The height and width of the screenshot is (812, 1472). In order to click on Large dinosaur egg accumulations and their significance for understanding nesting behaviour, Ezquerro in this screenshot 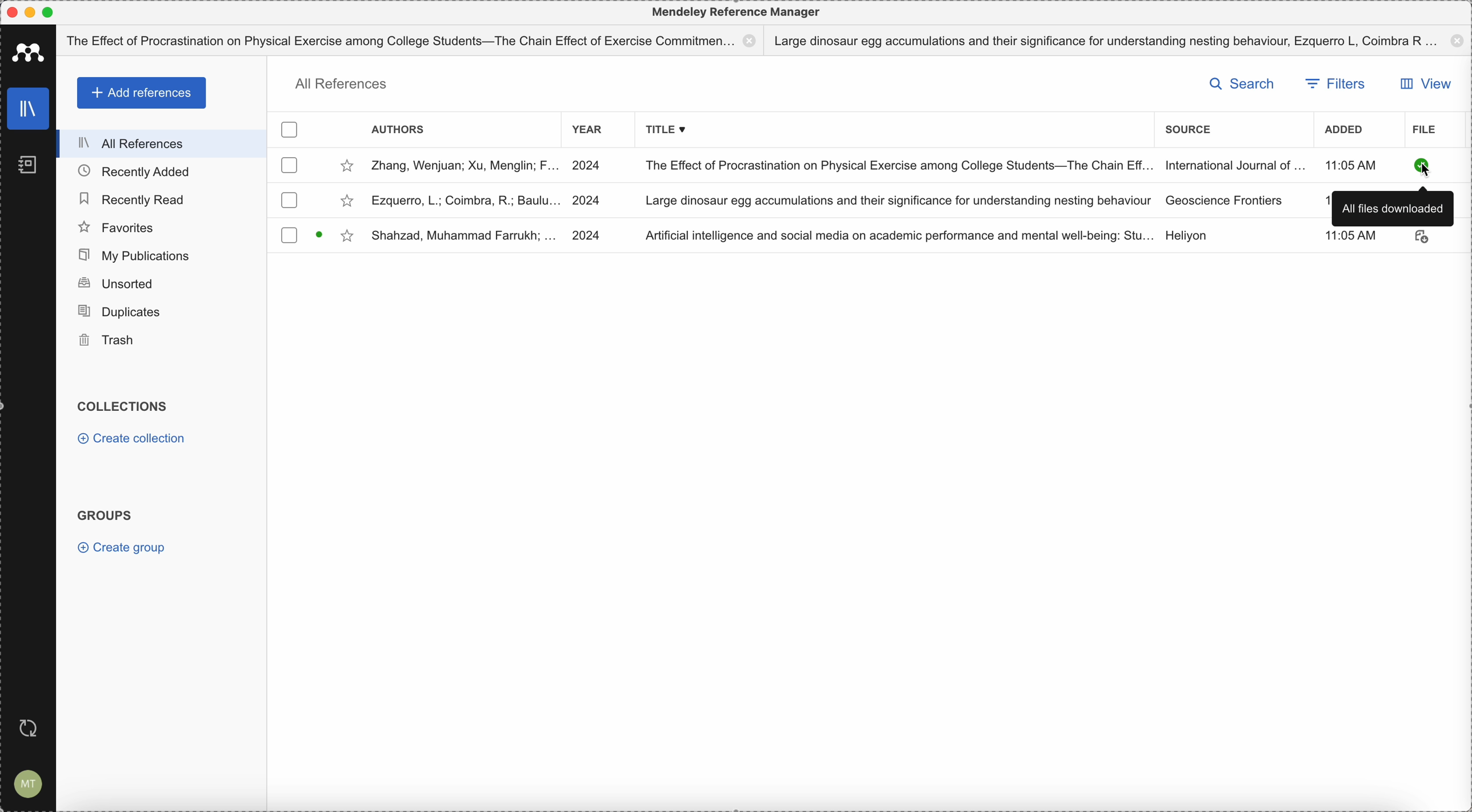, I will do `click(1121, 41)`.